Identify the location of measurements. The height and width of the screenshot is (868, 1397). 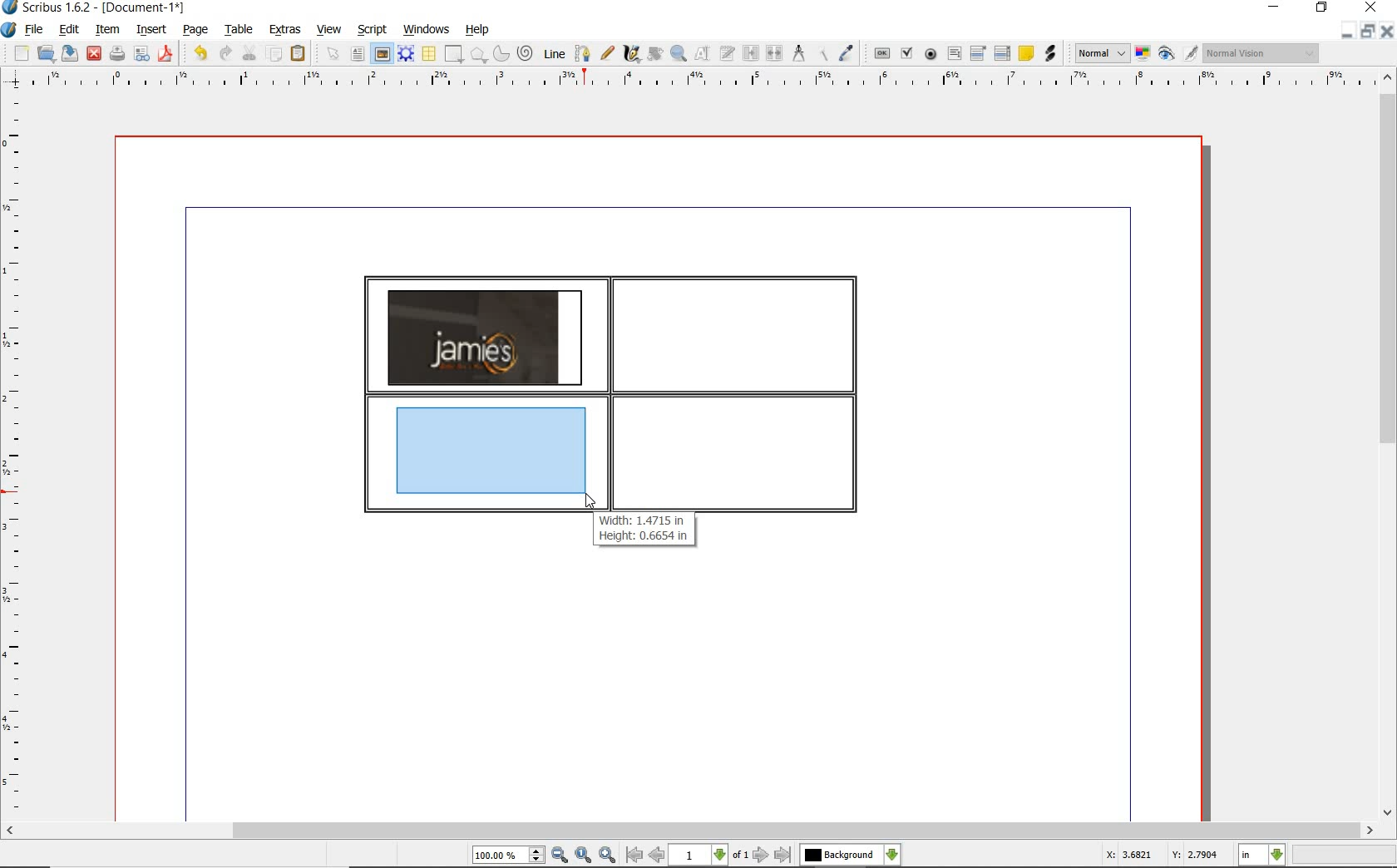
(799, 53).